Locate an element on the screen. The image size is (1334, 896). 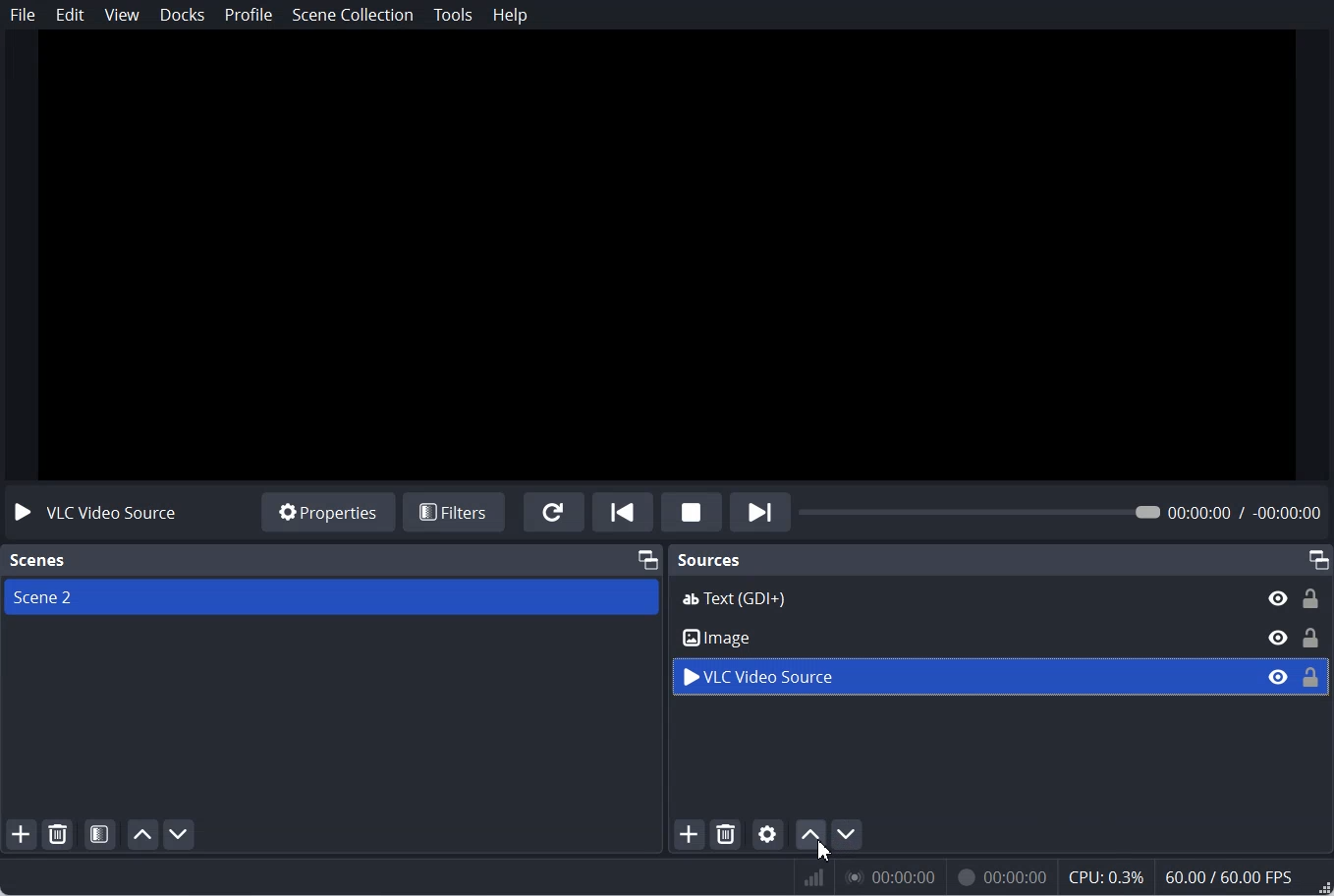
Open source Properties is located at coordinates (769, 832).